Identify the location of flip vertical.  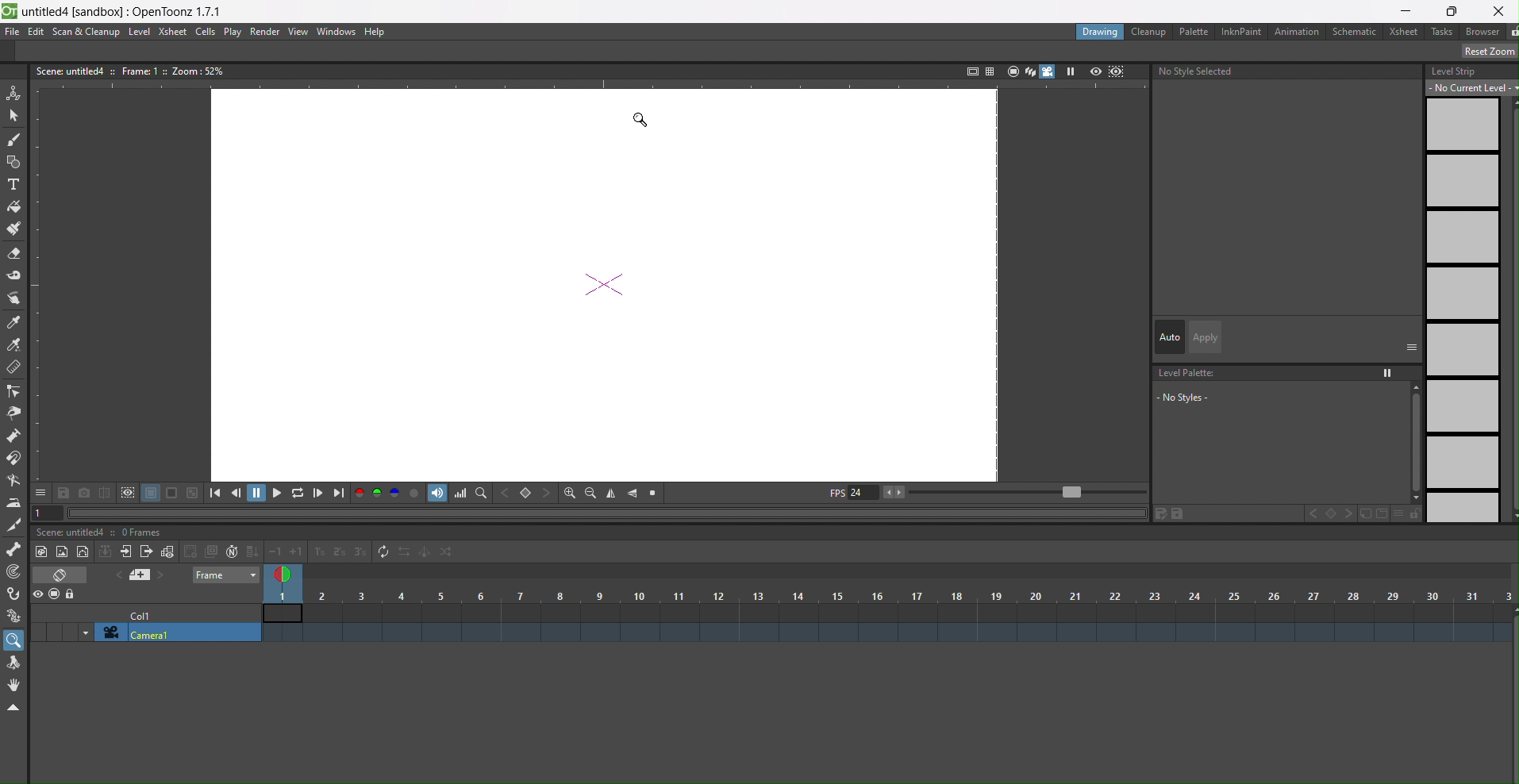
(613, 492).